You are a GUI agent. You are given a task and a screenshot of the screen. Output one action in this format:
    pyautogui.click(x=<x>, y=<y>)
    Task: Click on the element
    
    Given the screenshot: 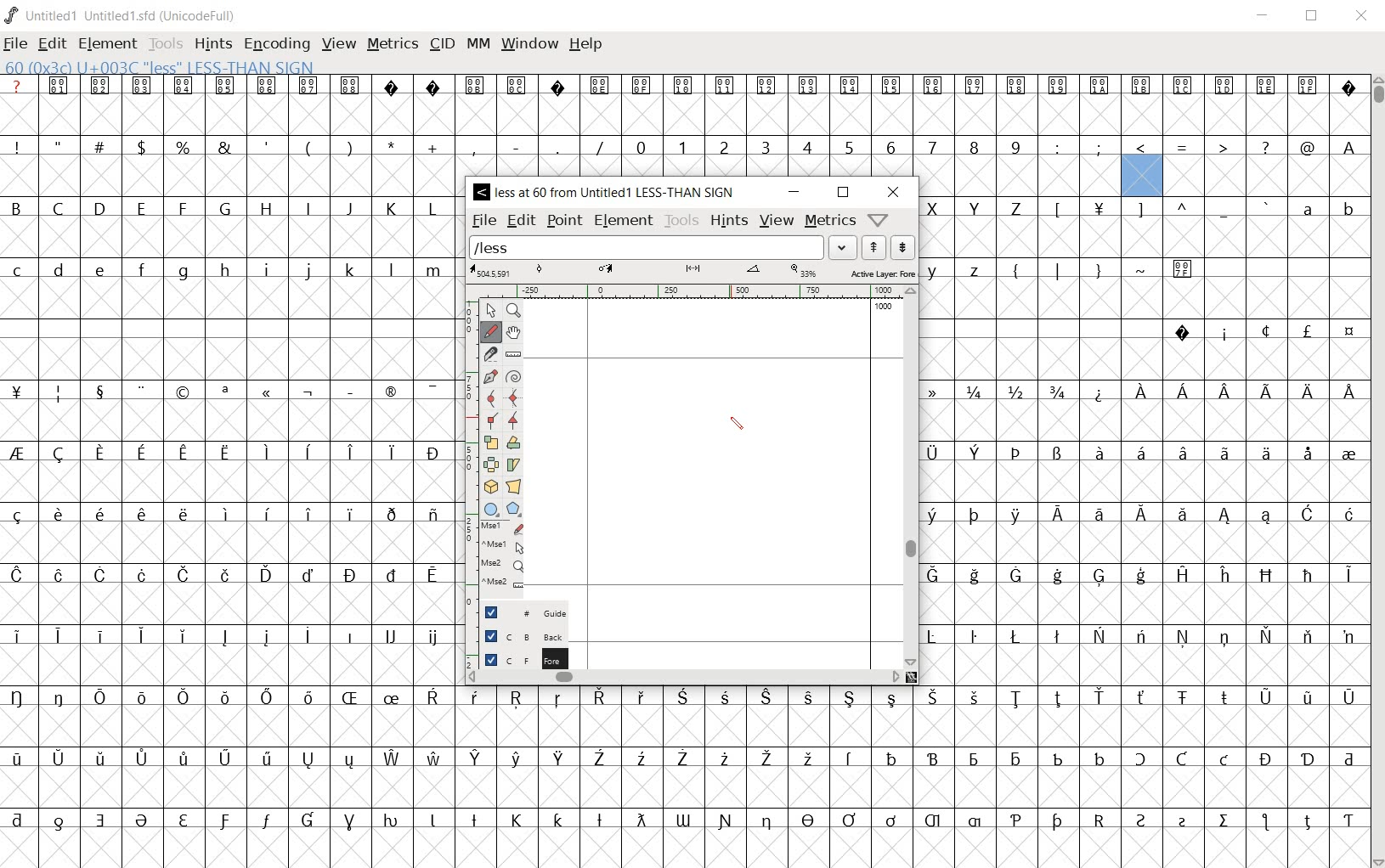 What is the action you would take?
    pyautogui.click(x=108, y=43)
    